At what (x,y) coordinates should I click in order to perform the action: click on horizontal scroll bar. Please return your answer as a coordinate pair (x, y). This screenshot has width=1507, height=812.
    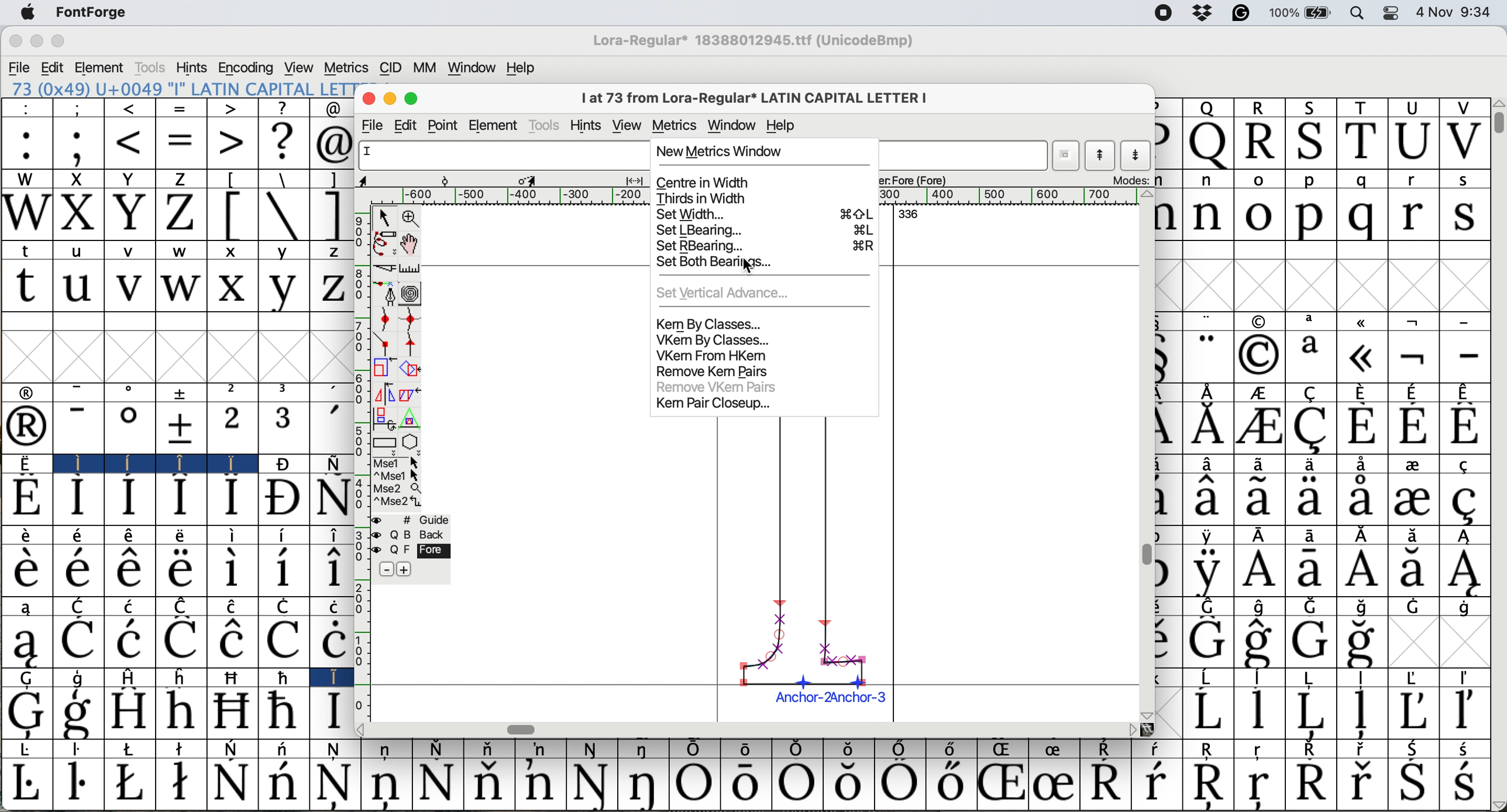
    Looking at the image, I should click on (521, 728).